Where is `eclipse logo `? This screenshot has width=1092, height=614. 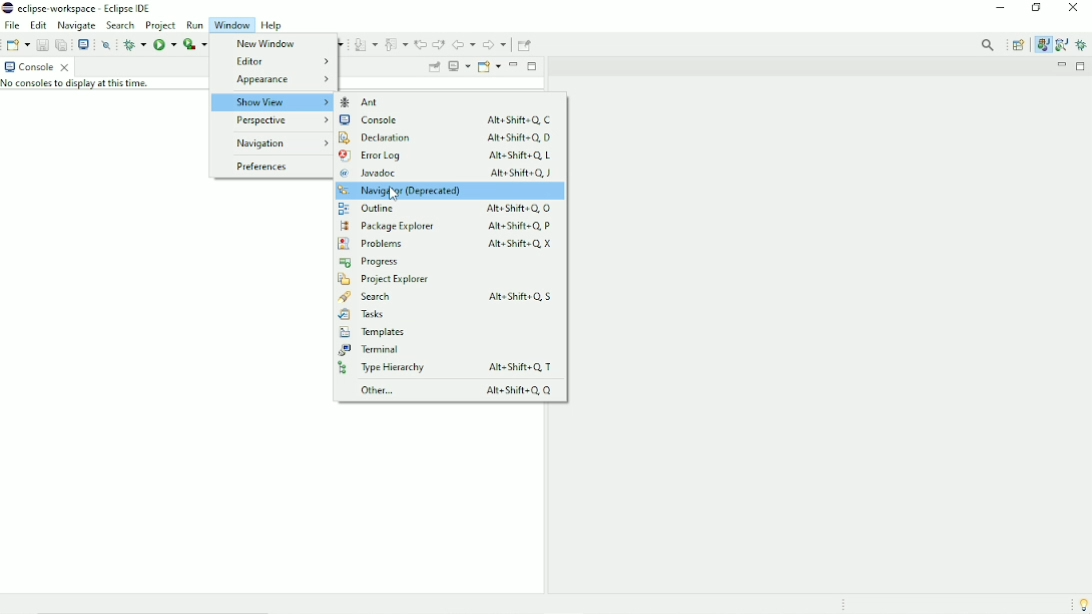
eclipse logo  is located at coordinates (7, 8).